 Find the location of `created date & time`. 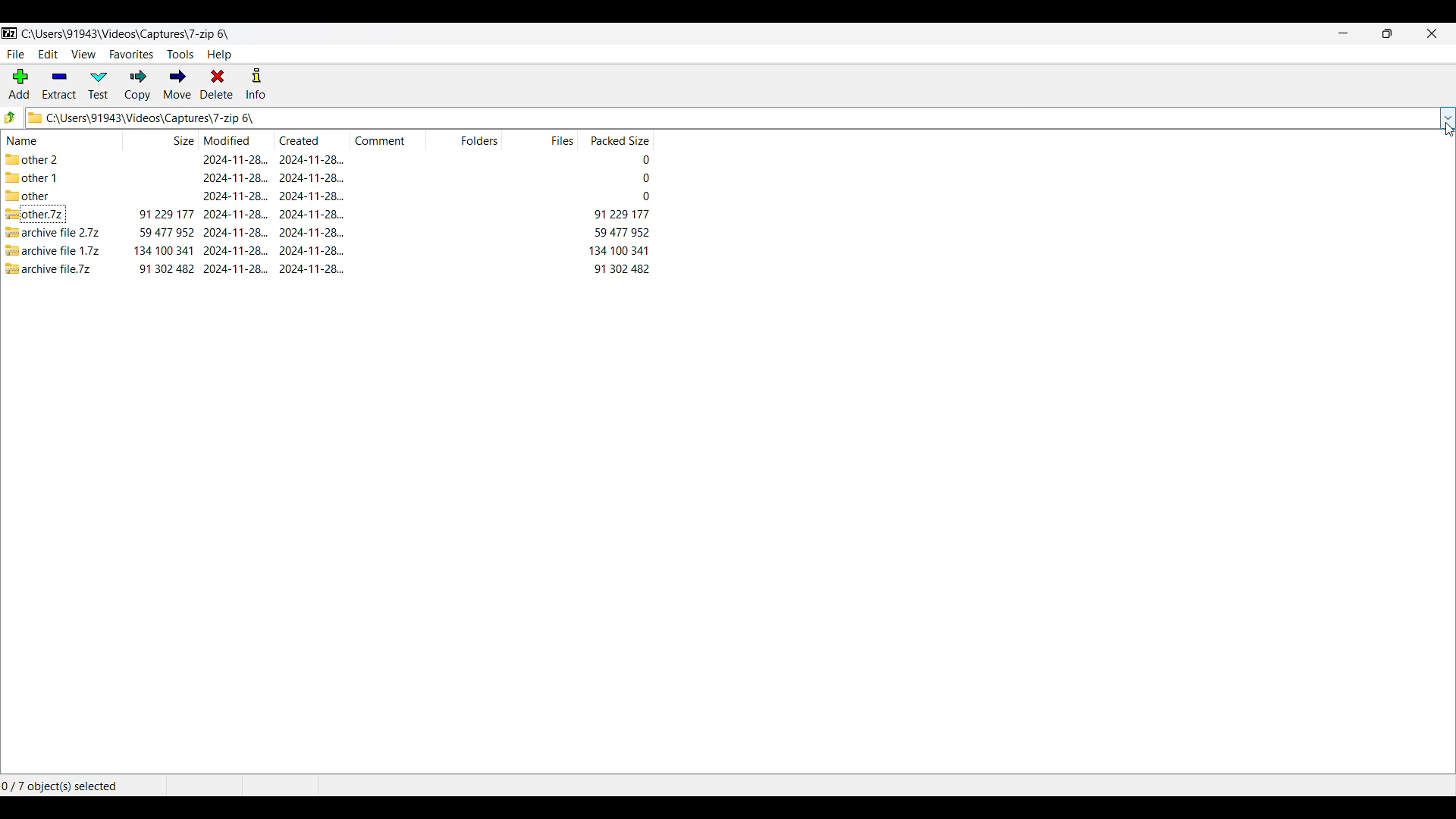

created date & time is located at coordinates (312, 250).